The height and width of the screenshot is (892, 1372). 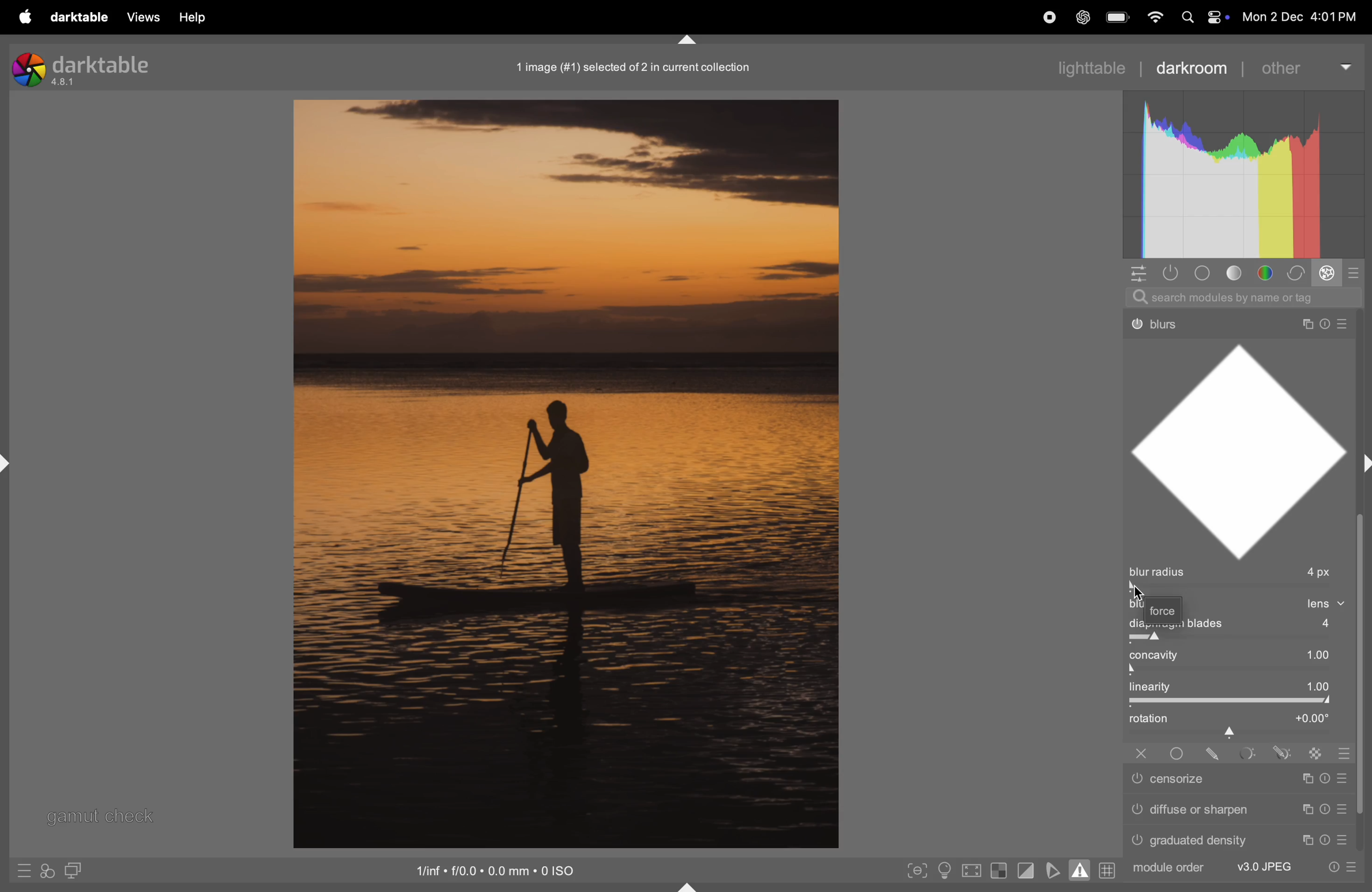 I want to click on , so click(x=1235, y=319).